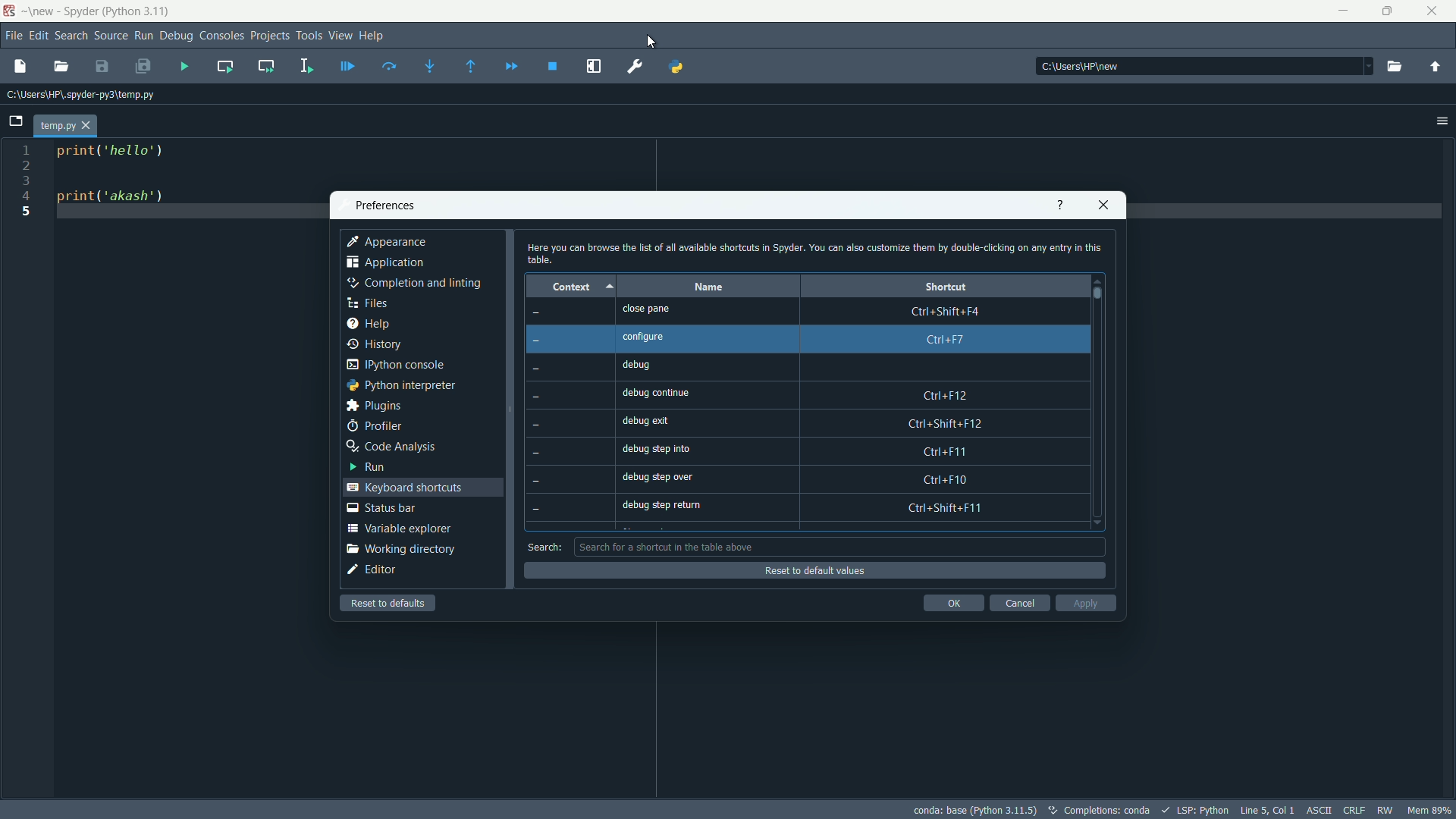 The height and width of the screenshot is (819, 1456). What do you see at coordinates (813, 253) in the screenshot?
I see `text - Here you can browse the list of all available shortcuts in Spyder. You can also customize them by double-clicking on any entry in this table.` at bounding box center [813, 253].